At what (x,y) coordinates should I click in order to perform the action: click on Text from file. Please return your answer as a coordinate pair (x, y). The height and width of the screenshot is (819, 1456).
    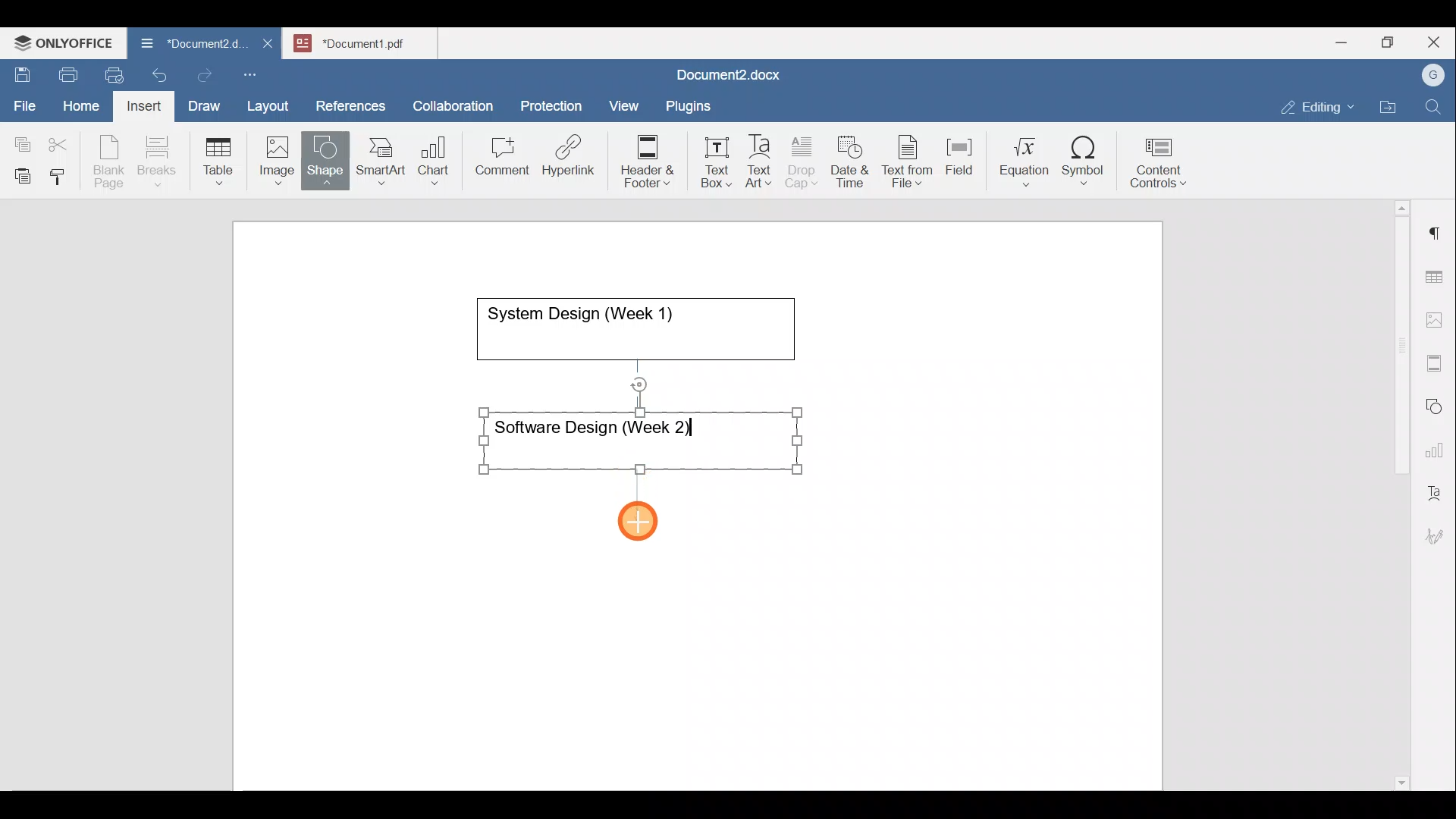
    Looking at the image, I should click on (910, 160).